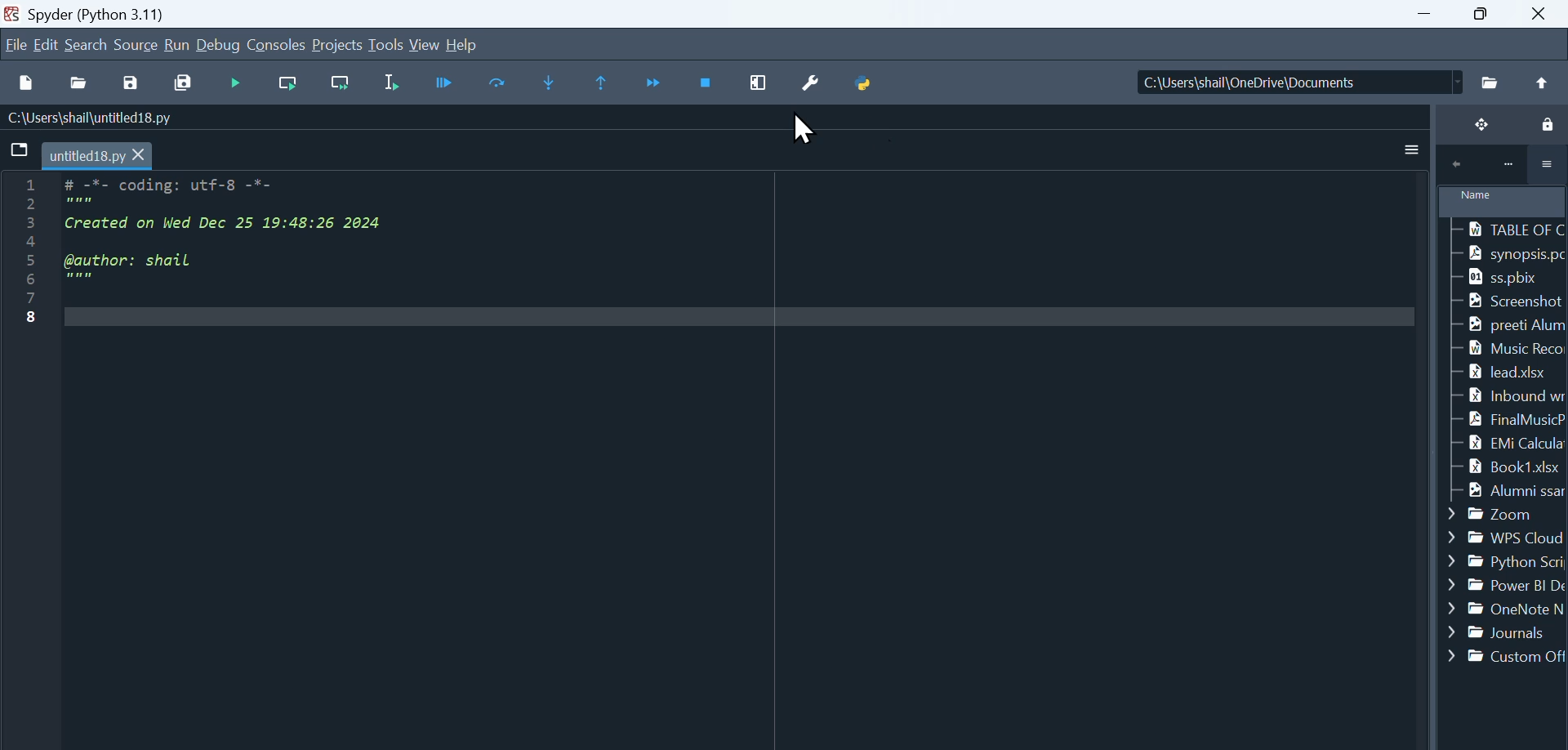 The height and width of the screenshot is (750, 1568). I want to click on Continue execution until next function, so click(655, 84).